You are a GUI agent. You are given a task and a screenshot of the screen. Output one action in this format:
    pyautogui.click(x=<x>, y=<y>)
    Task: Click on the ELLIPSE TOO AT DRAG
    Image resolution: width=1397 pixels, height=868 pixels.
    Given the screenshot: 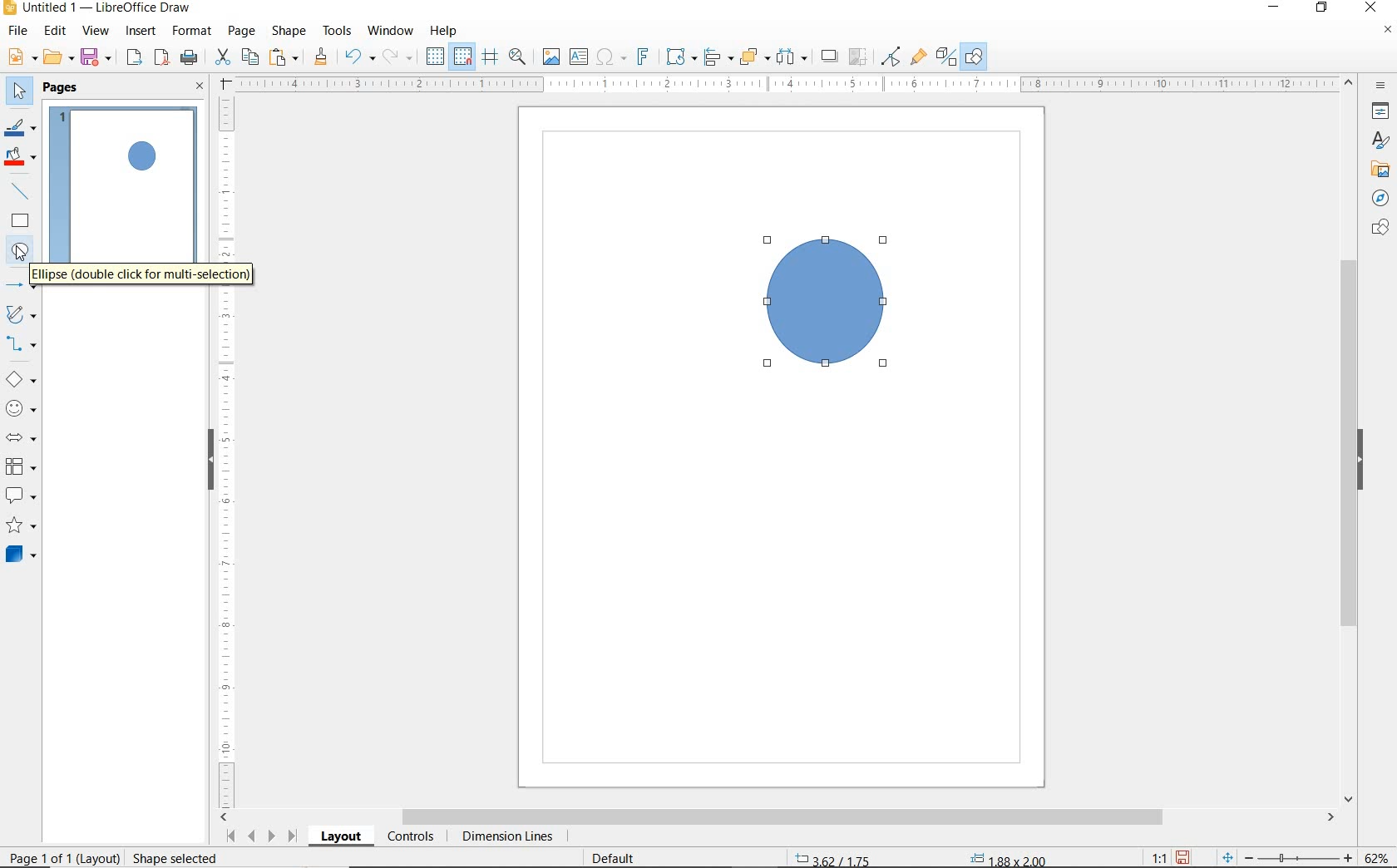 What is the action you would take?
    pyautogui.click(x=881, y=242)
    